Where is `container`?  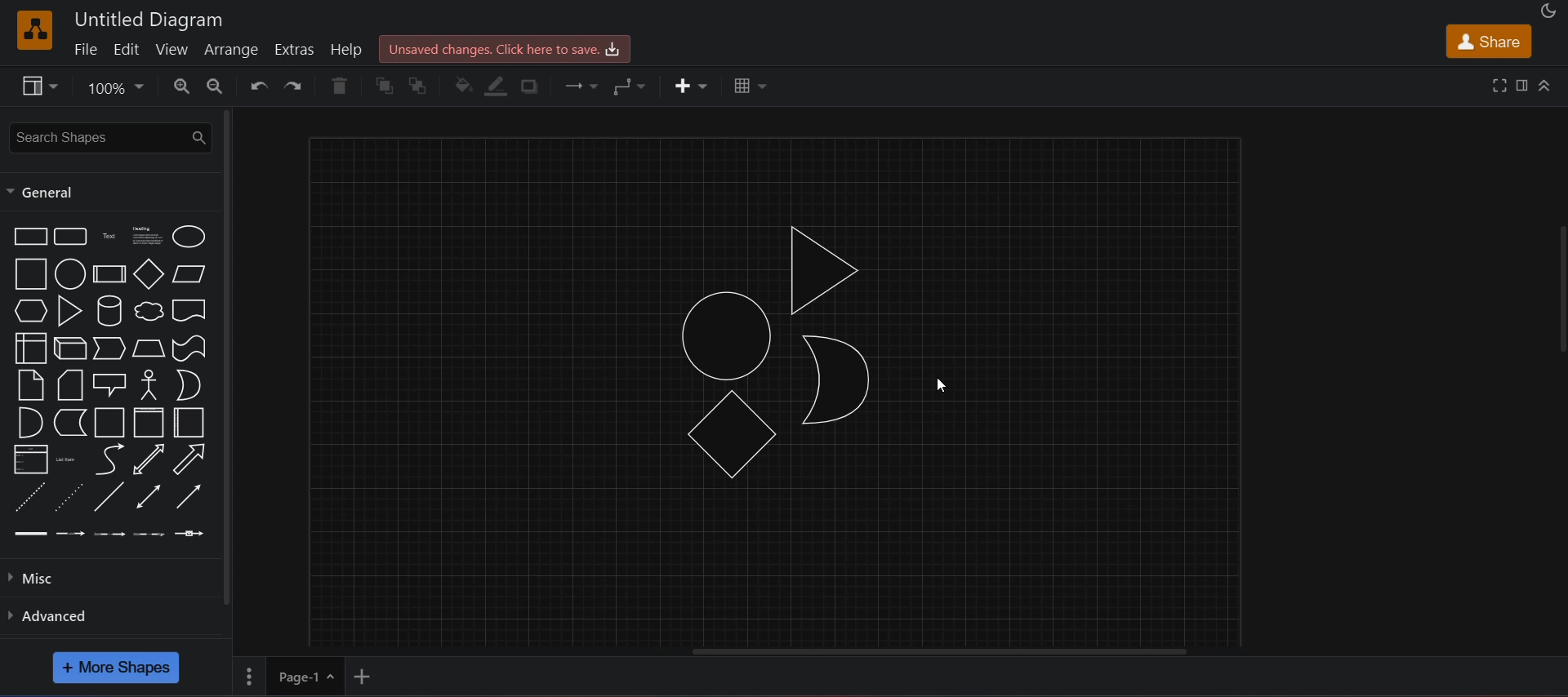 container is located at coordinates (107, 422).